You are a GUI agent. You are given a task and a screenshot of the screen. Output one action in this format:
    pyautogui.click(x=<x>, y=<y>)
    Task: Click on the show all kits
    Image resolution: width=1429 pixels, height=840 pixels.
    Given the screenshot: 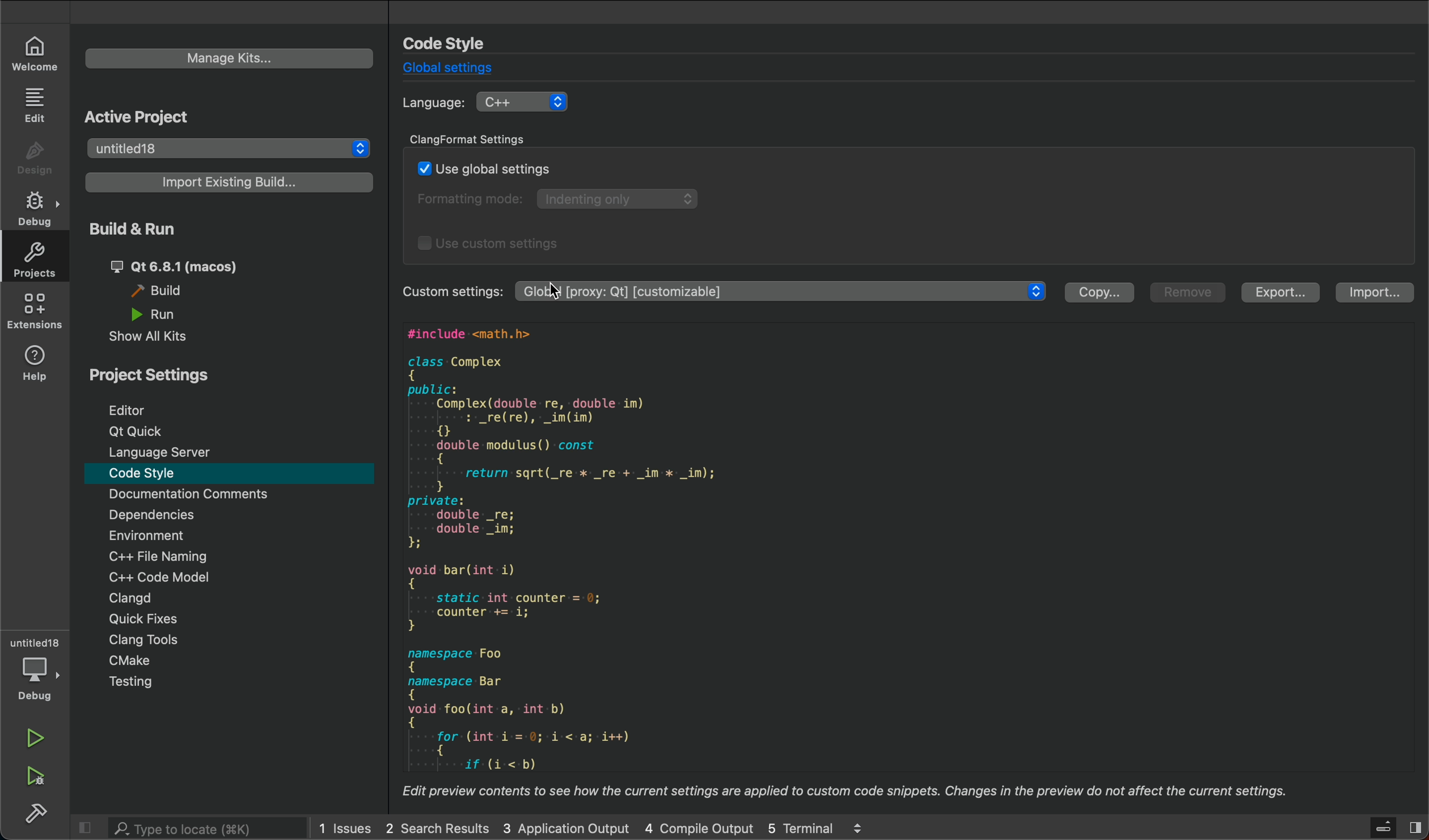 What is the action you would take?
    pyautogui.click(x=157, y=338)
    